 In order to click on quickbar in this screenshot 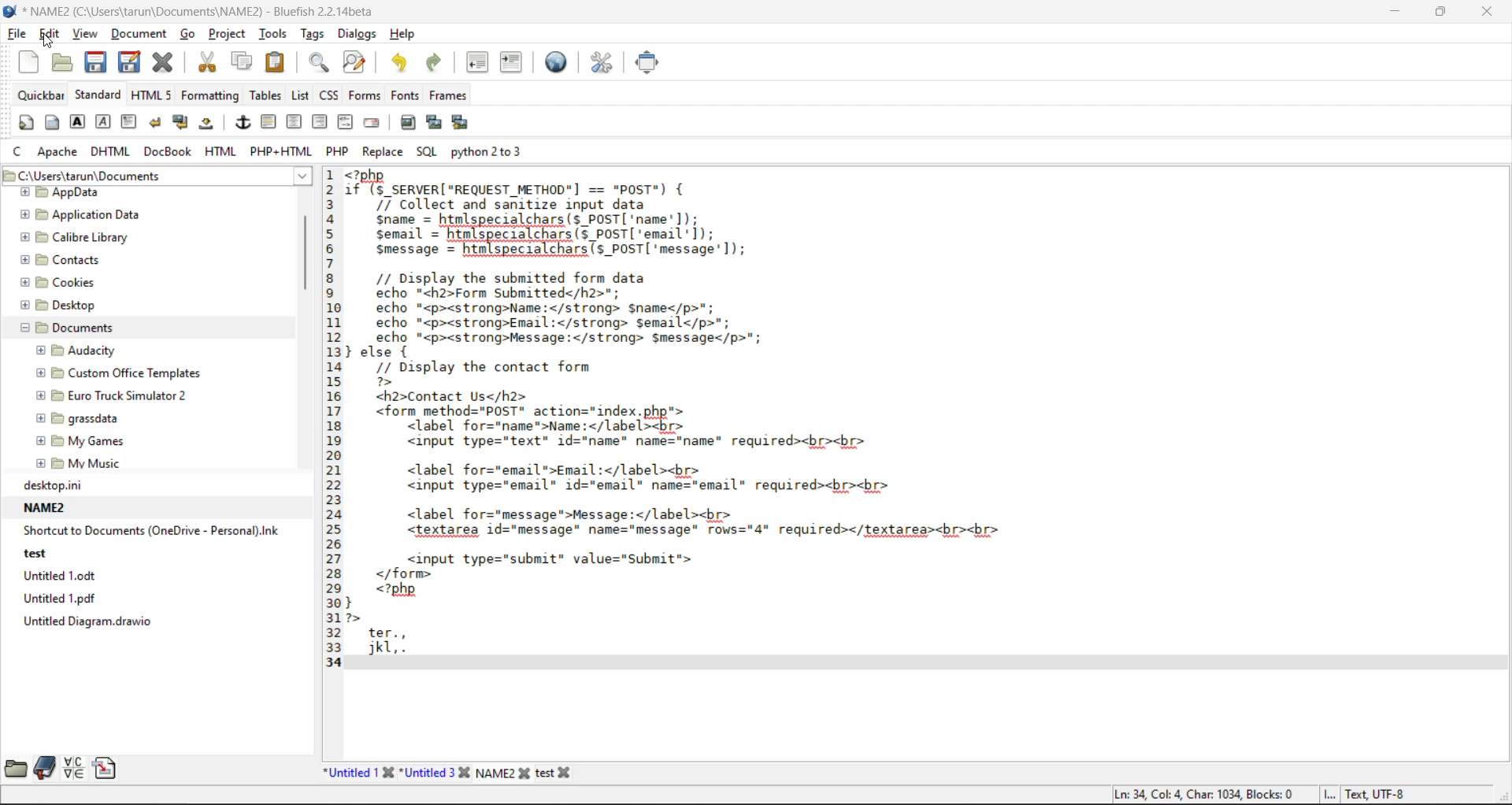, I will do `click(42, 95)`.